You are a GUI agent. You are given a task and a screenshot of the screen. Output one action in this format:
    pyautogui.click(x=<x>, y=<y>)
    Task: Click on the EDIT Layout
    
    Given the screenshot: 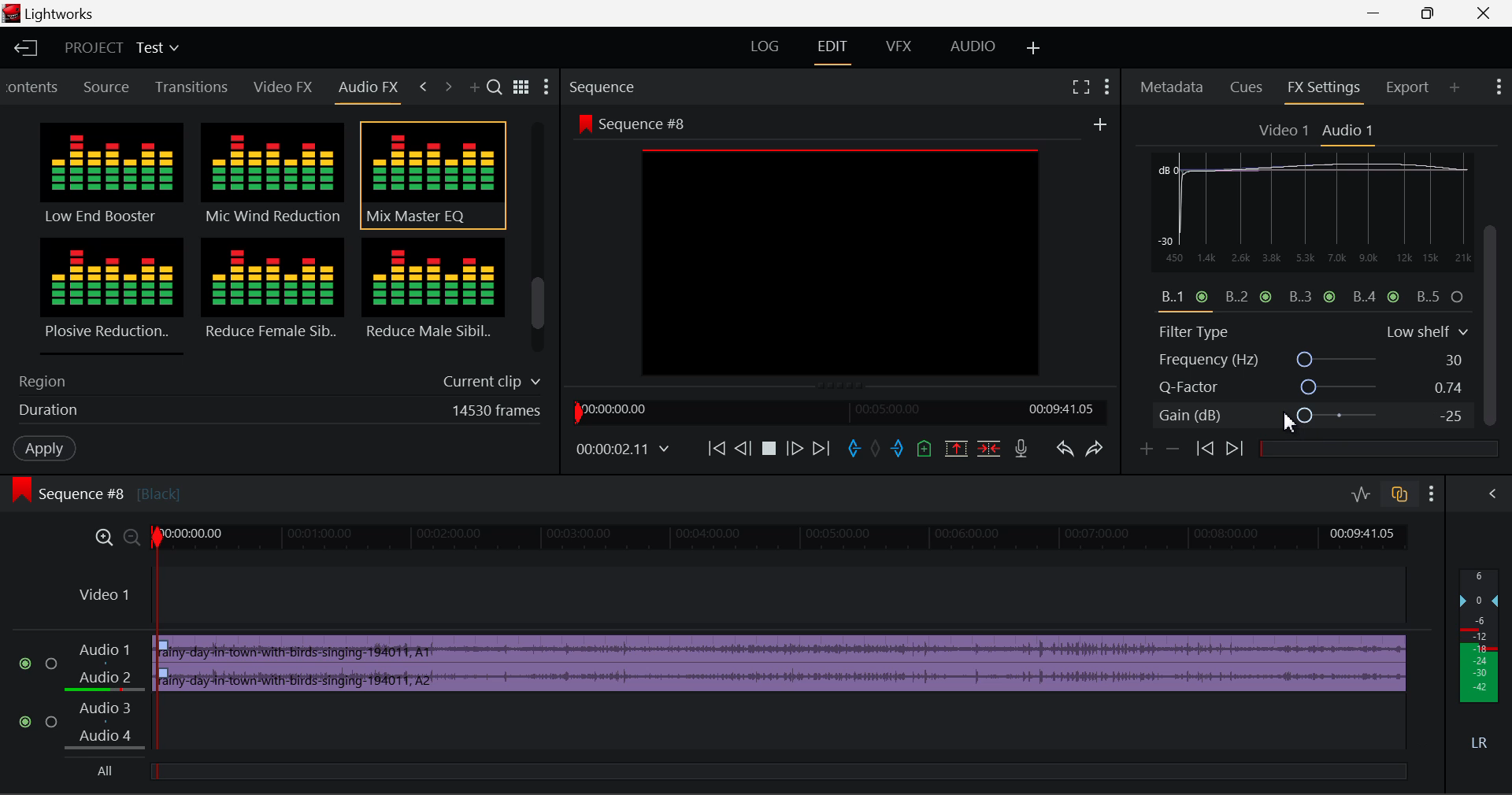 What is the action you would take?
    pyautogui.click(x=838, y=51)
    